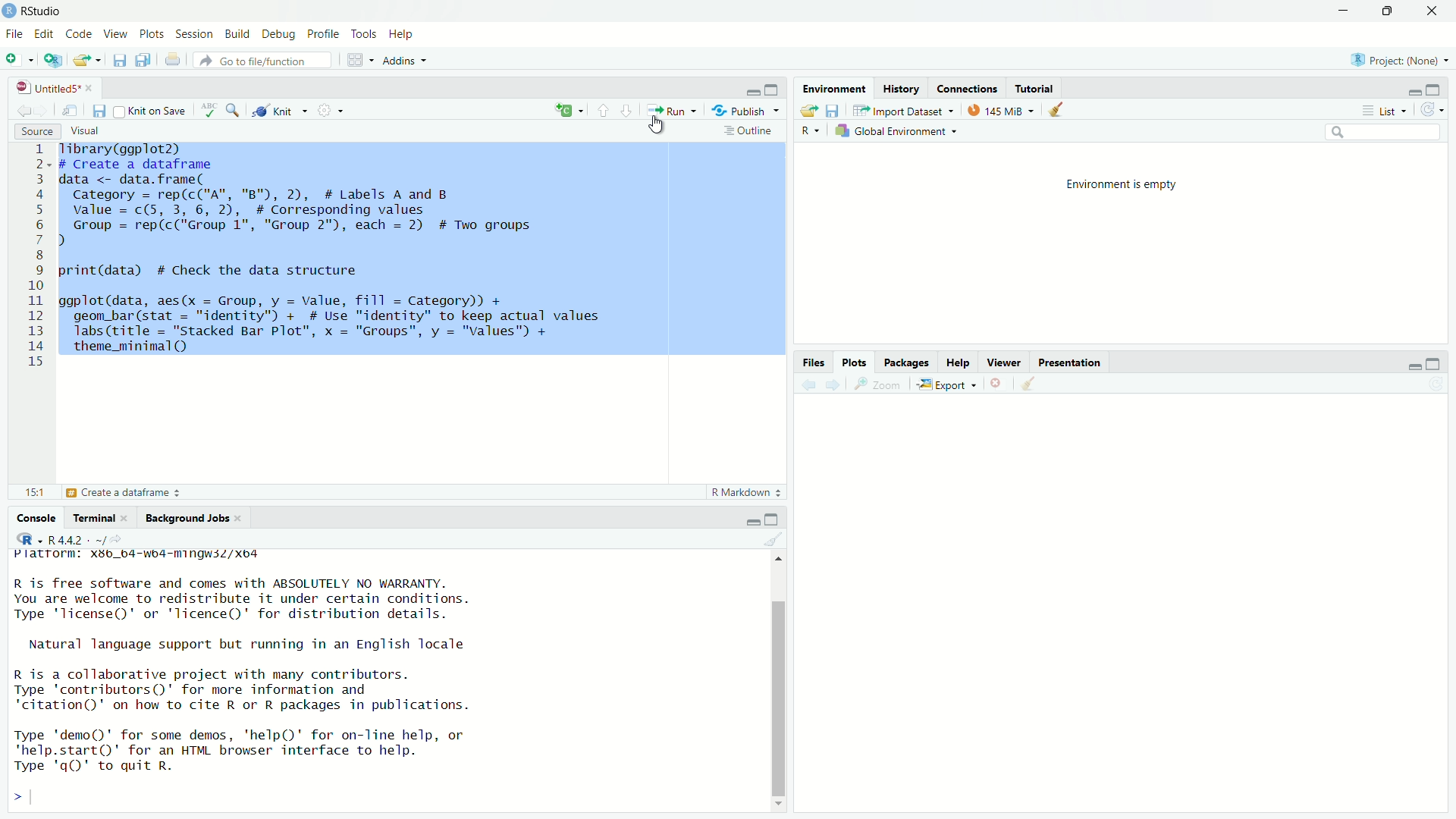  What do you see at coordinates (902, 86) in the screenshot?
I see `History` at bounding box center [902, 86].